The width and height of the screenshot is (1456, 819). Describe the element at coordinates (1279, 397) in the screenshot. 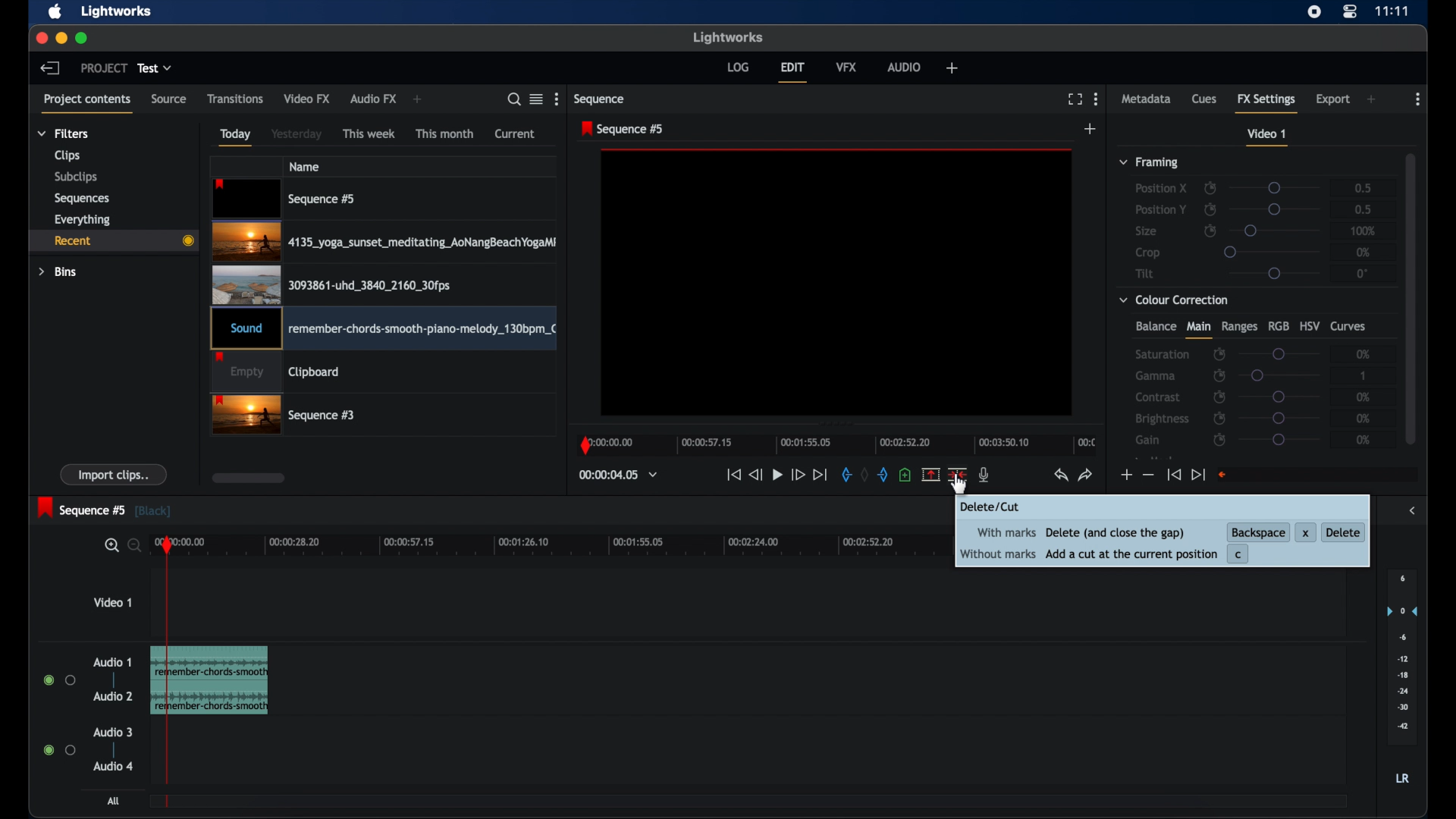

I see `slider` at that location.